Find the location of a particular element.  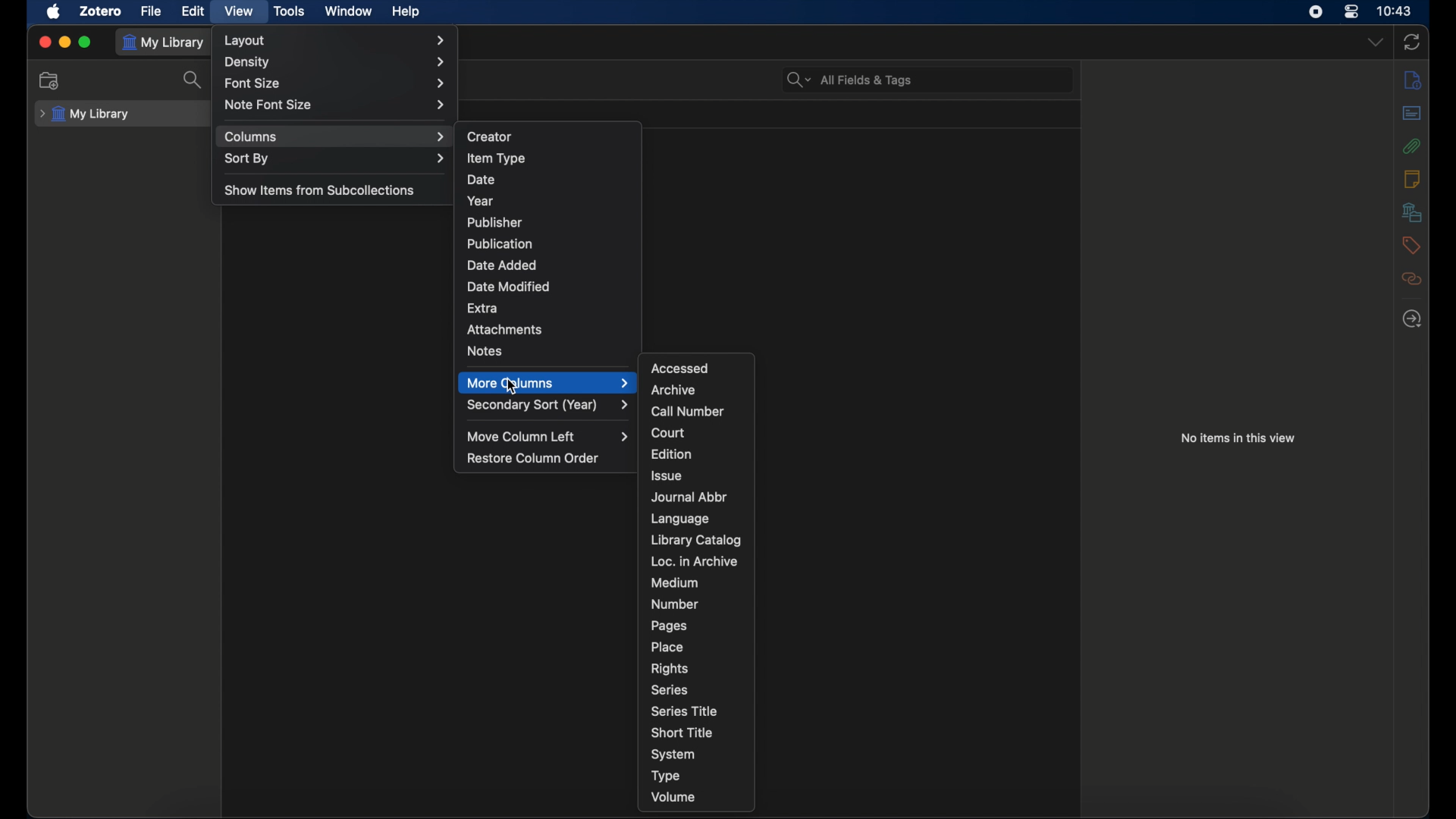

short title is located at coordinates (682, 733).